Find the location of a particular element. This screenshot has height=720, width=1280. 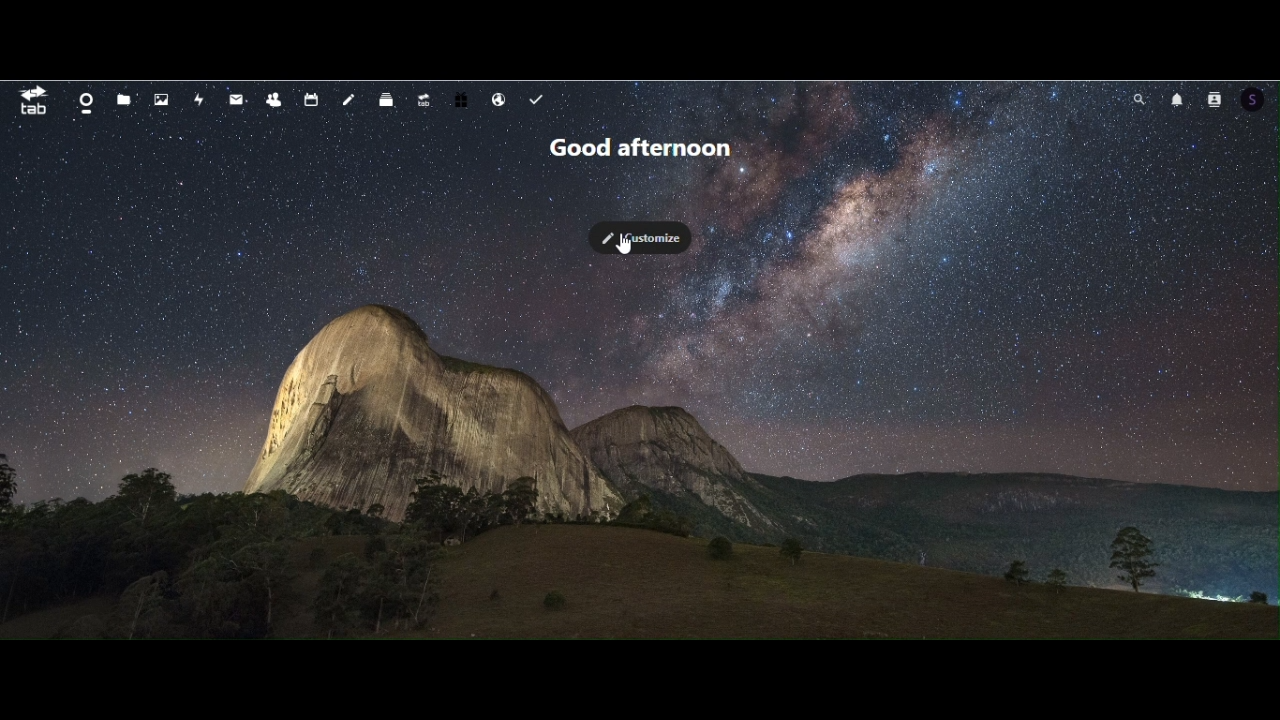

Files is located at coordinates (126, 99).